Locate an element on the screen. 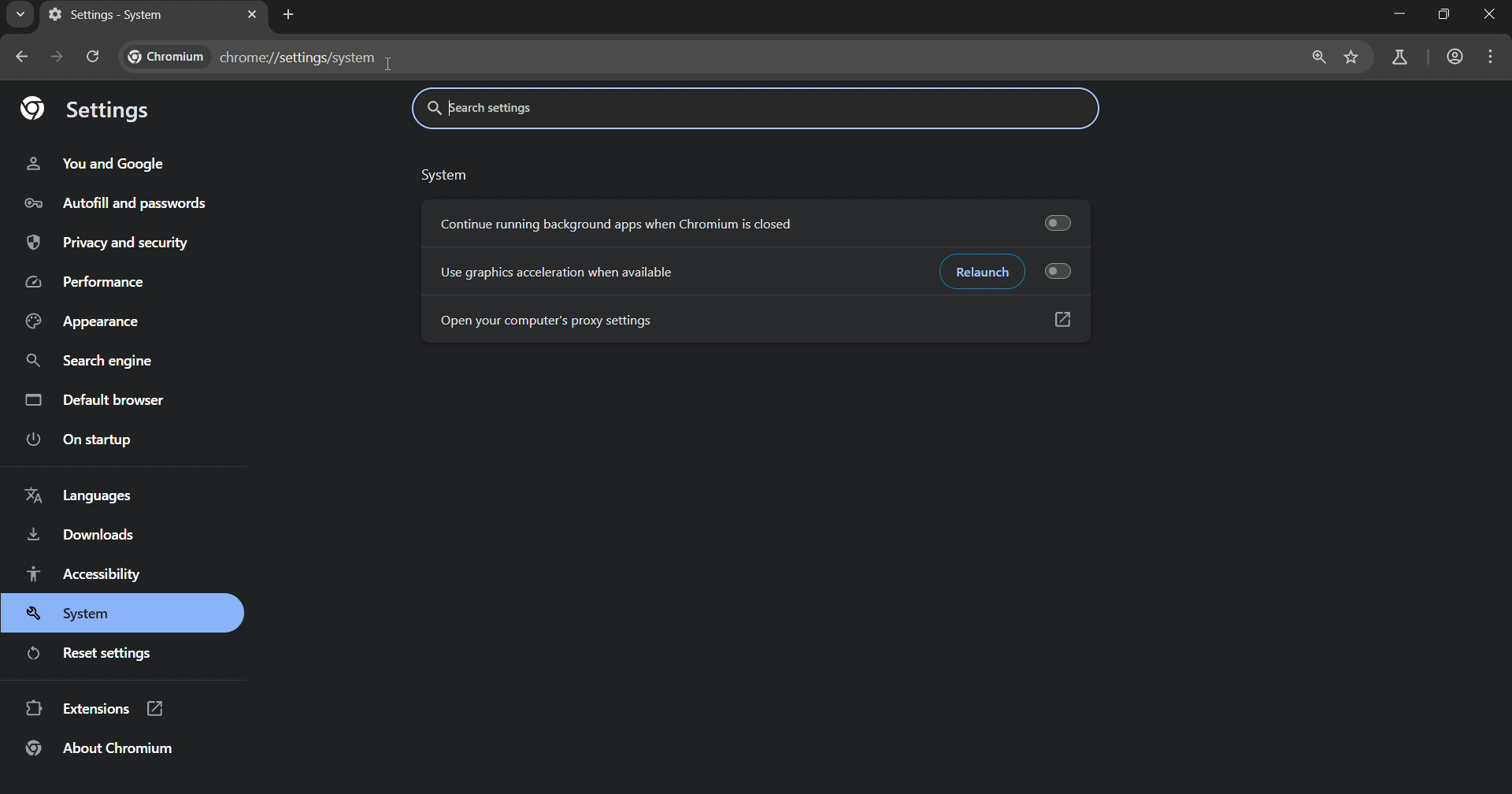 This screenshot has height=794, width=1512. bookmark page is located at coordinates (1355, 57).